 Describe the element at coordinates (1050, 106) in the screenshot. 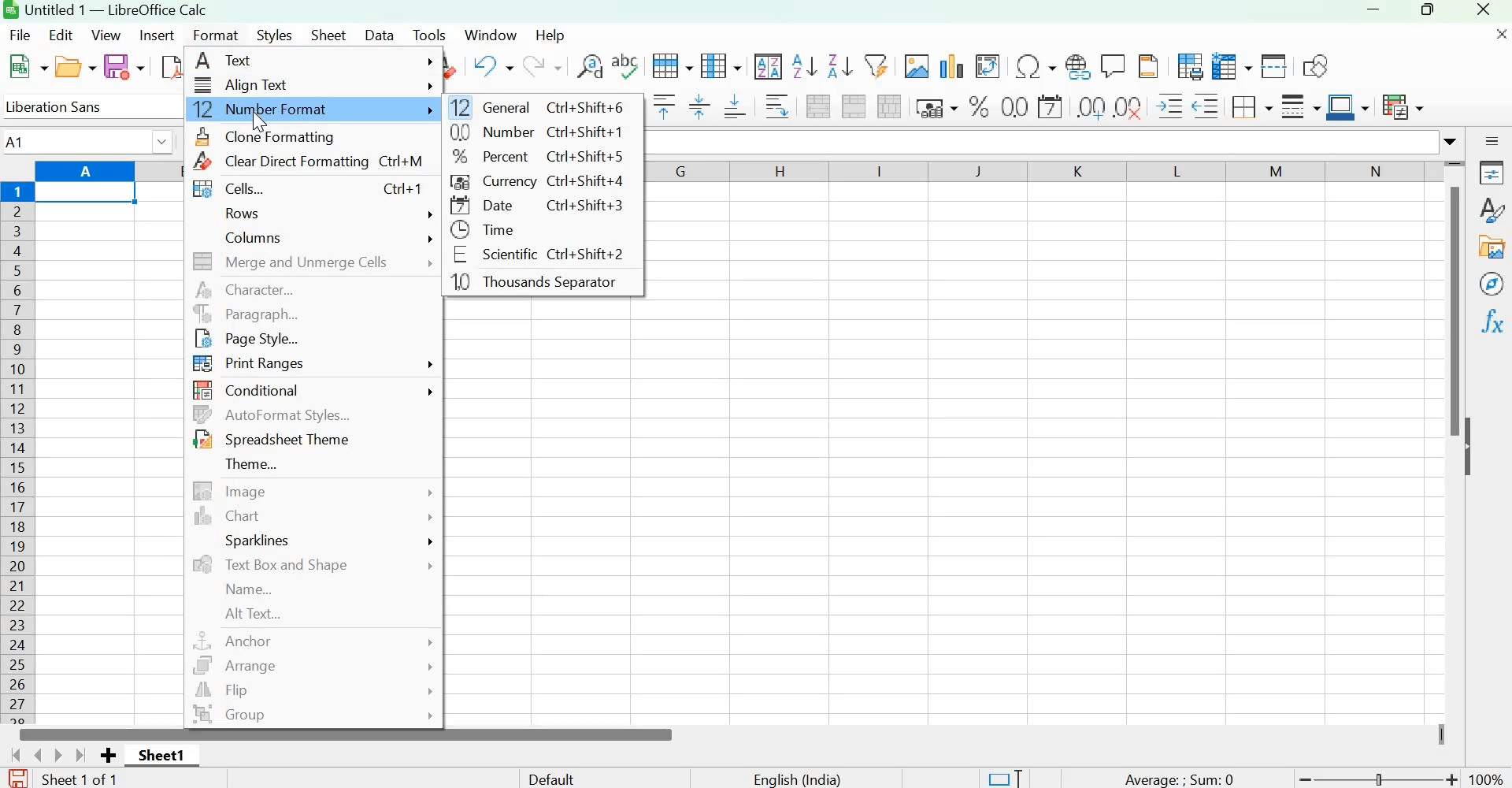

I see `Format as date` at that location.